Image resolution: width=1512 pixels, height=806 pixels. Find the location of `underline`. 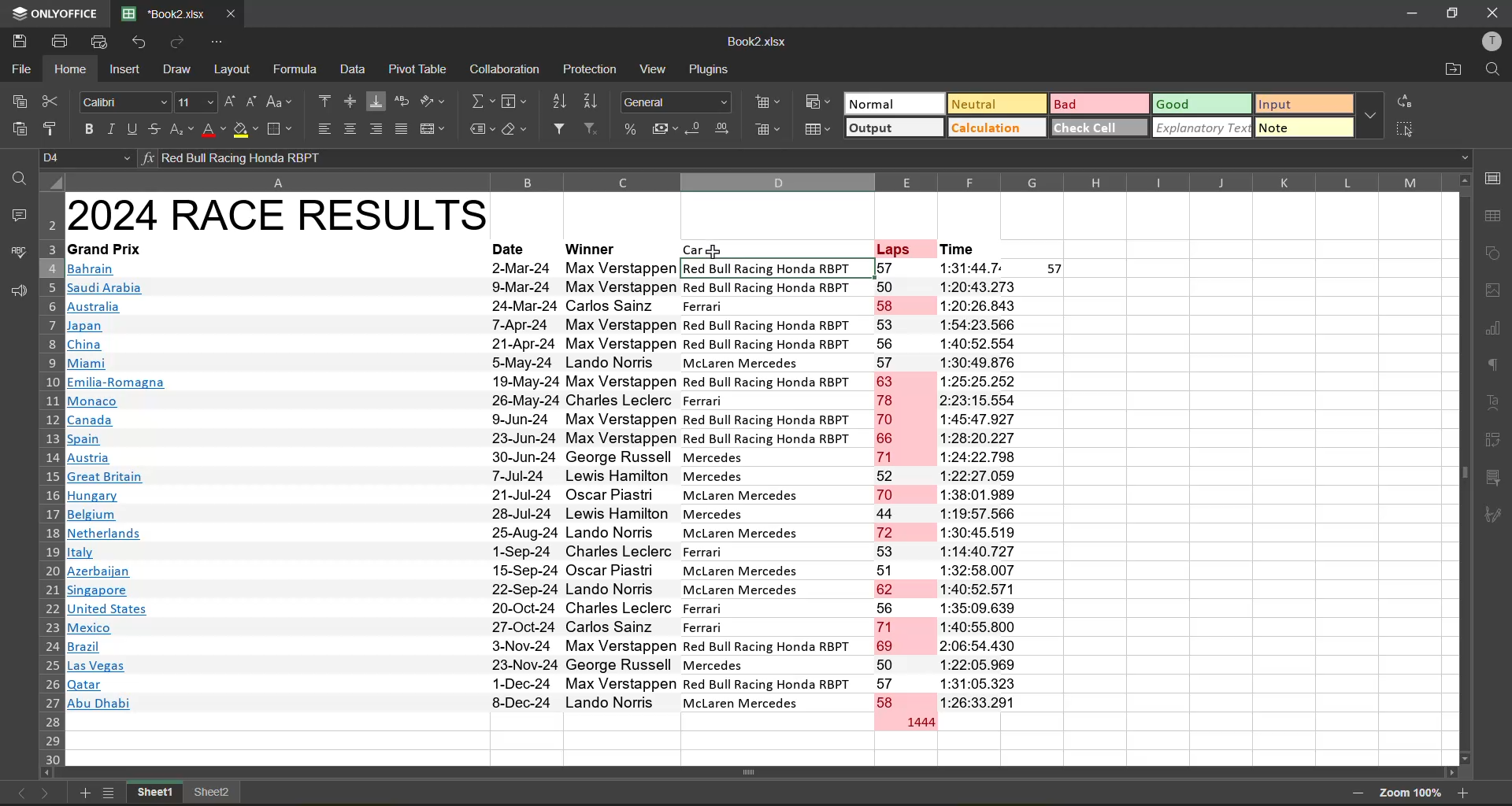

underline is located at coordinates (132, 129).